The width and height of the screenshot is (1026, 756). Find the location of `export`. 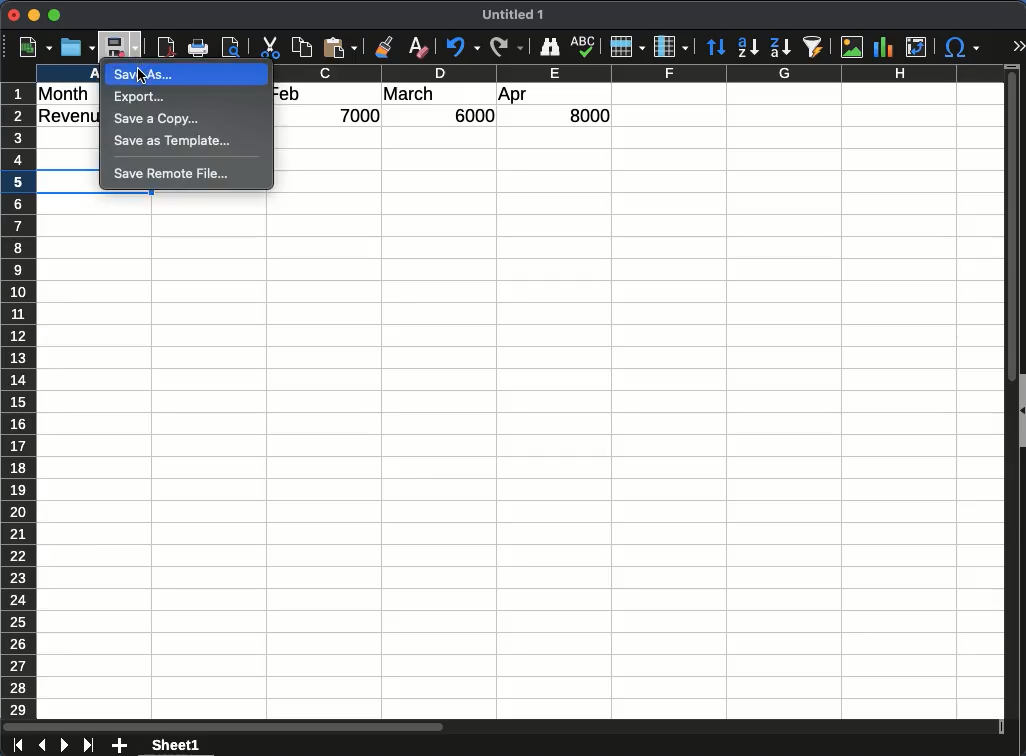

export is located at coordinates (143, 96).